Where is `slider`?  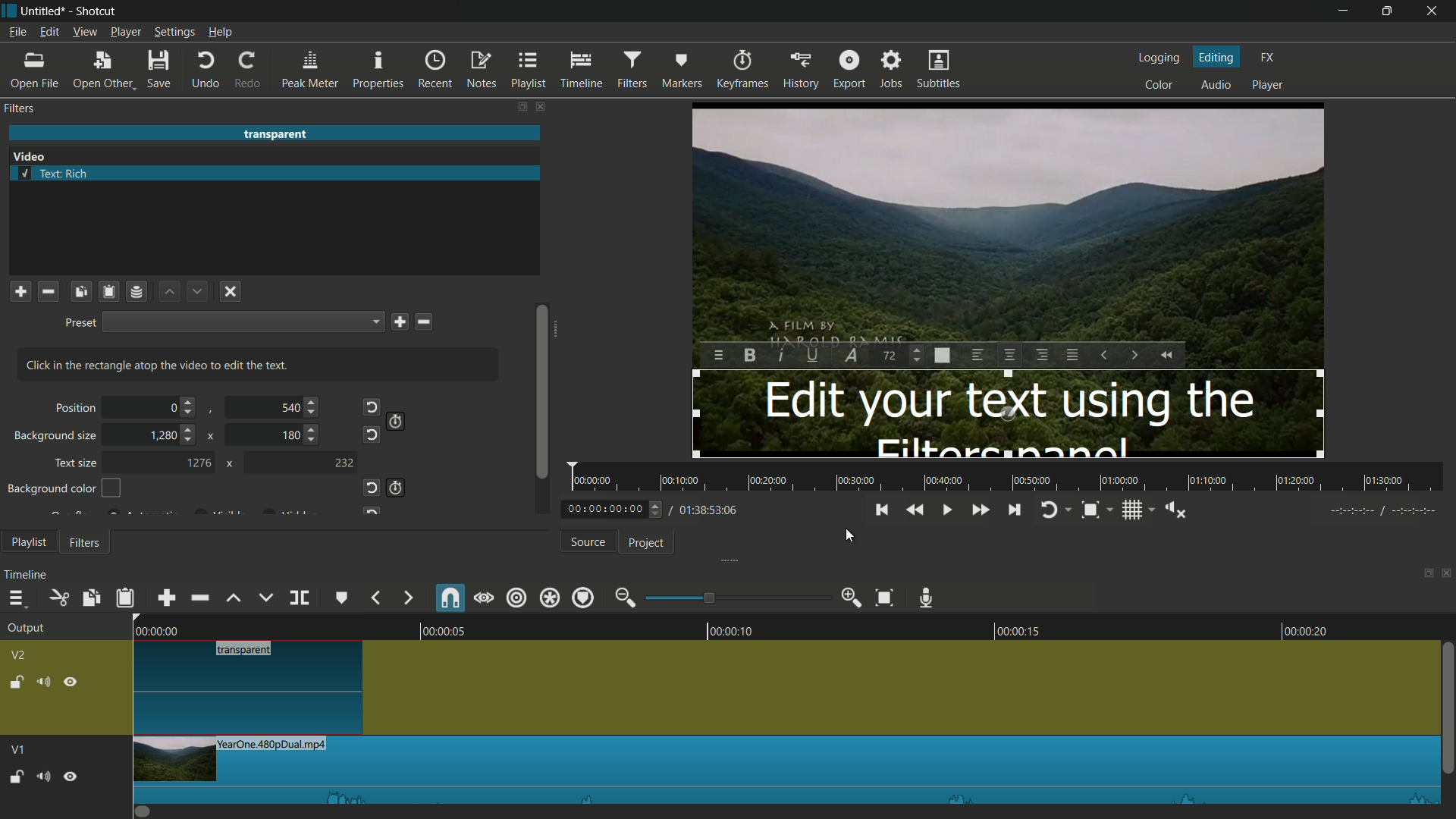 slider is located at coordinates (541, 406).